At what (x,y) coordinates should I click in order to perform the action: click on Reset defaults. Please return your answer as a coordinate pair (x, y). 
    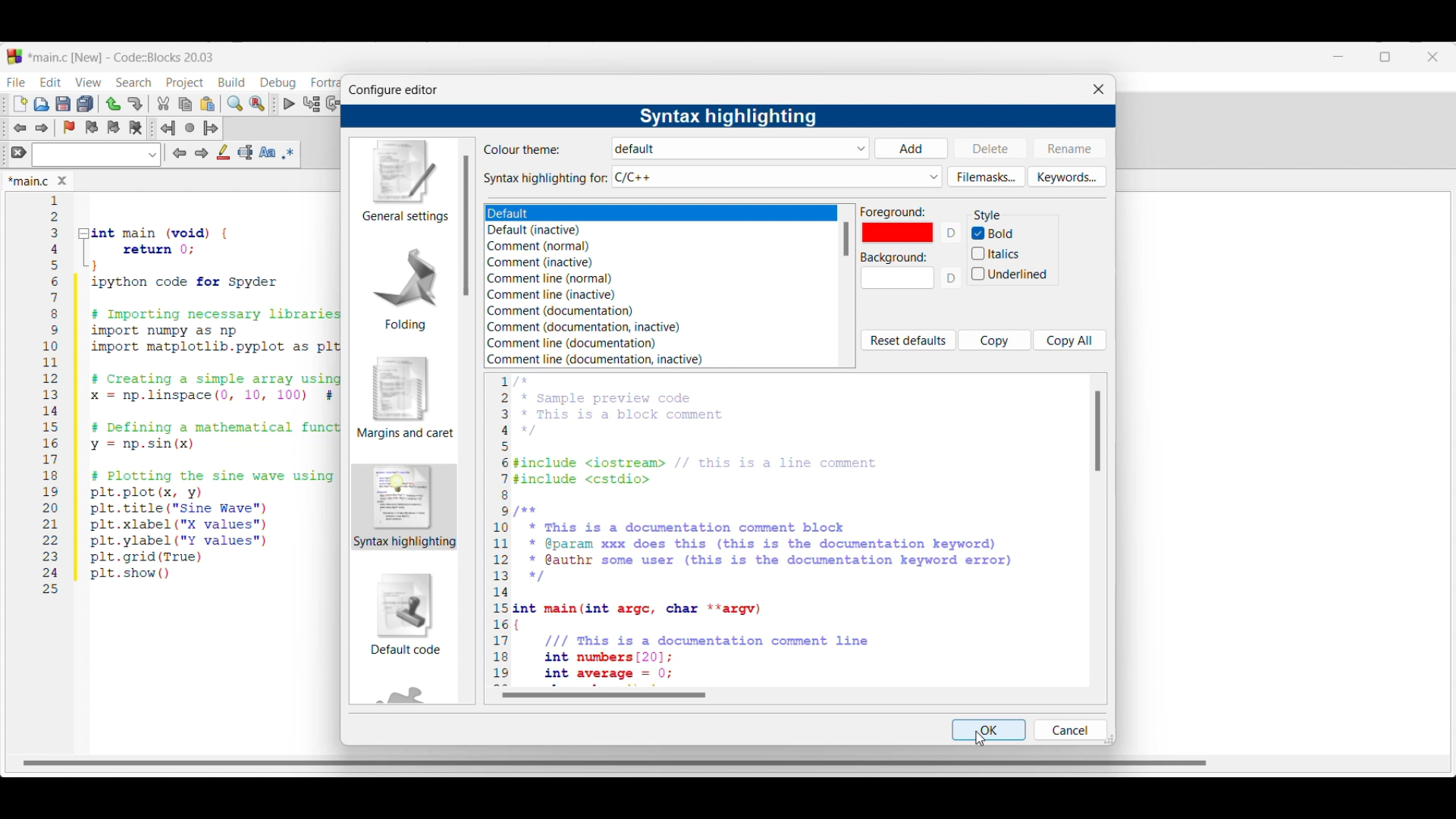
    Looking at the image, I should click on (908, 340).